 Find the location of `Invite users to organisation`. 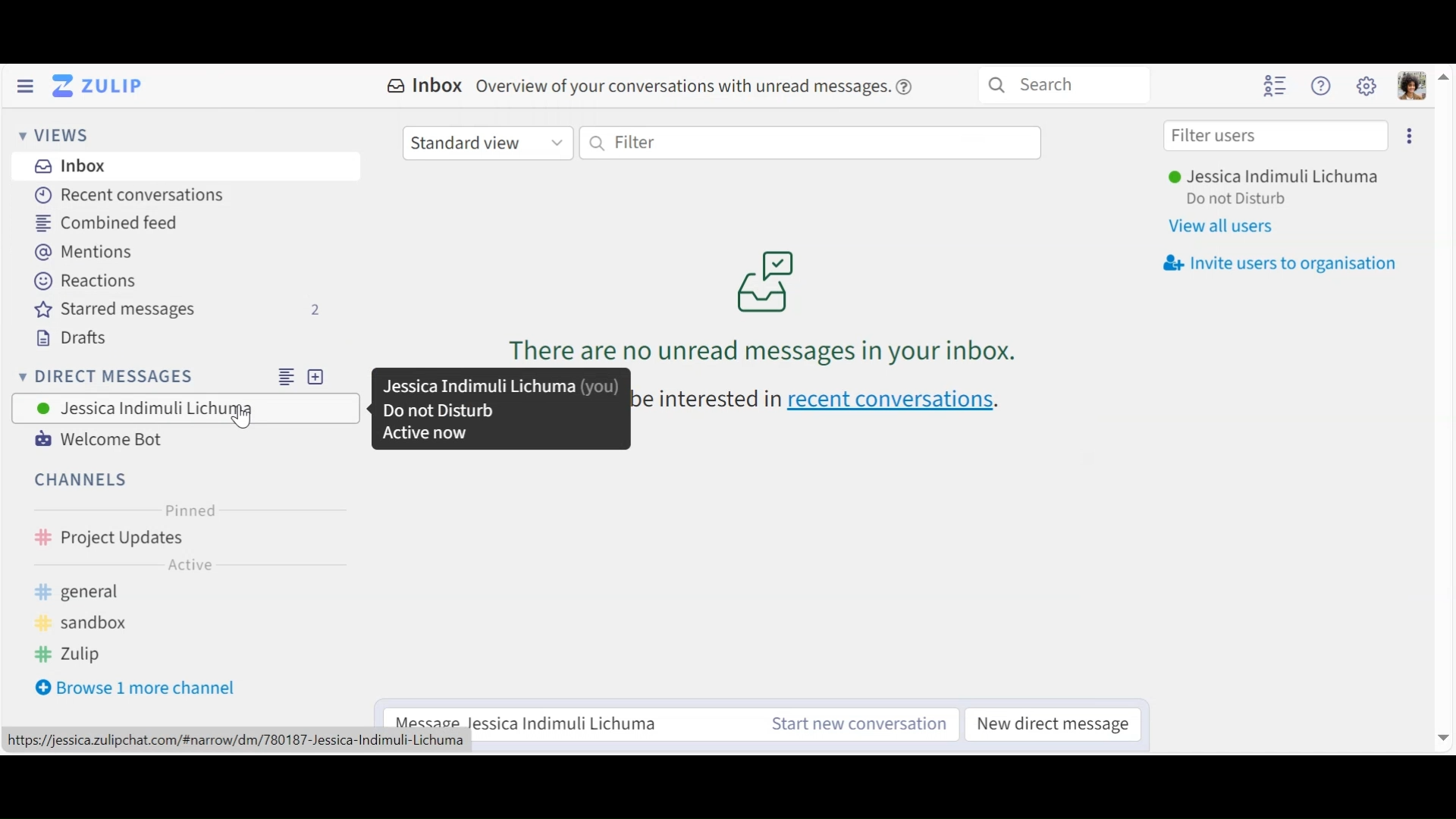

Invite users to organisation is located at coordinates (1281, 265).